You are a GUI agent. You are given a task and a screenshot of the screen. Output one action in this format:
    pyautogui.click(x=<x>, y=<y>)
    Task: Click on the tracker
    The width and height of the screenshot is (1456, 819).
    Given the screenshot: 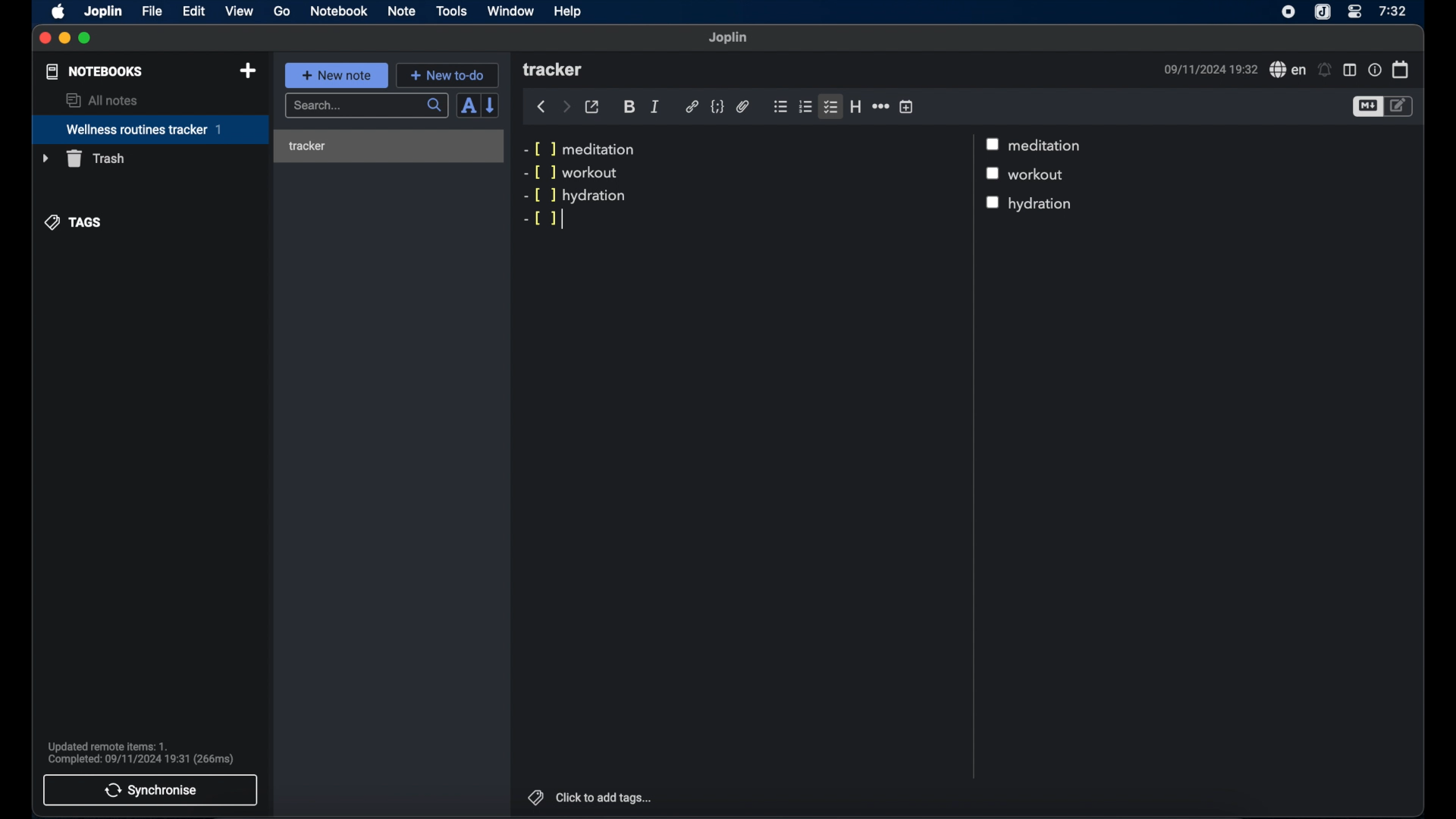 What is the action you would take?
    pyautogui.click(x=387, y=146)
    